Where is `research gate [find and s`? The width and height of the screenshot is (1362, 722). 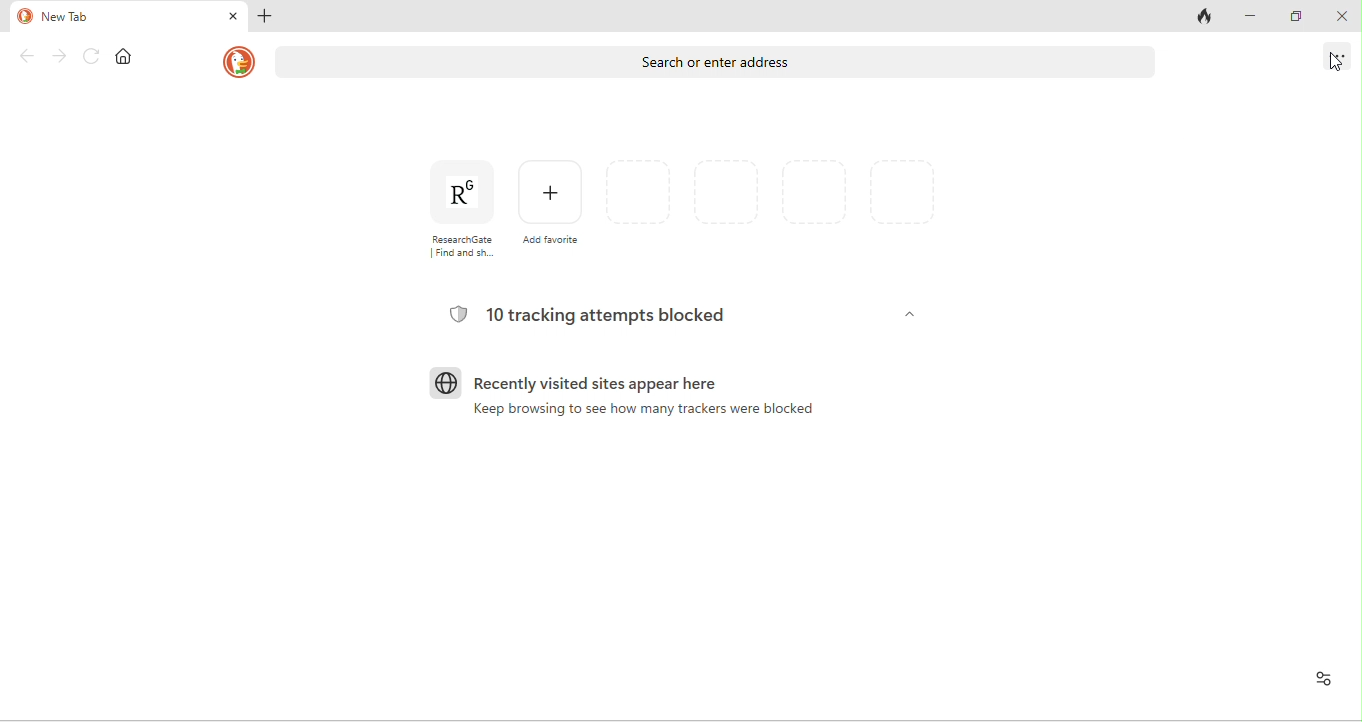
research gate [find and s is located at coordinates (465, 214).